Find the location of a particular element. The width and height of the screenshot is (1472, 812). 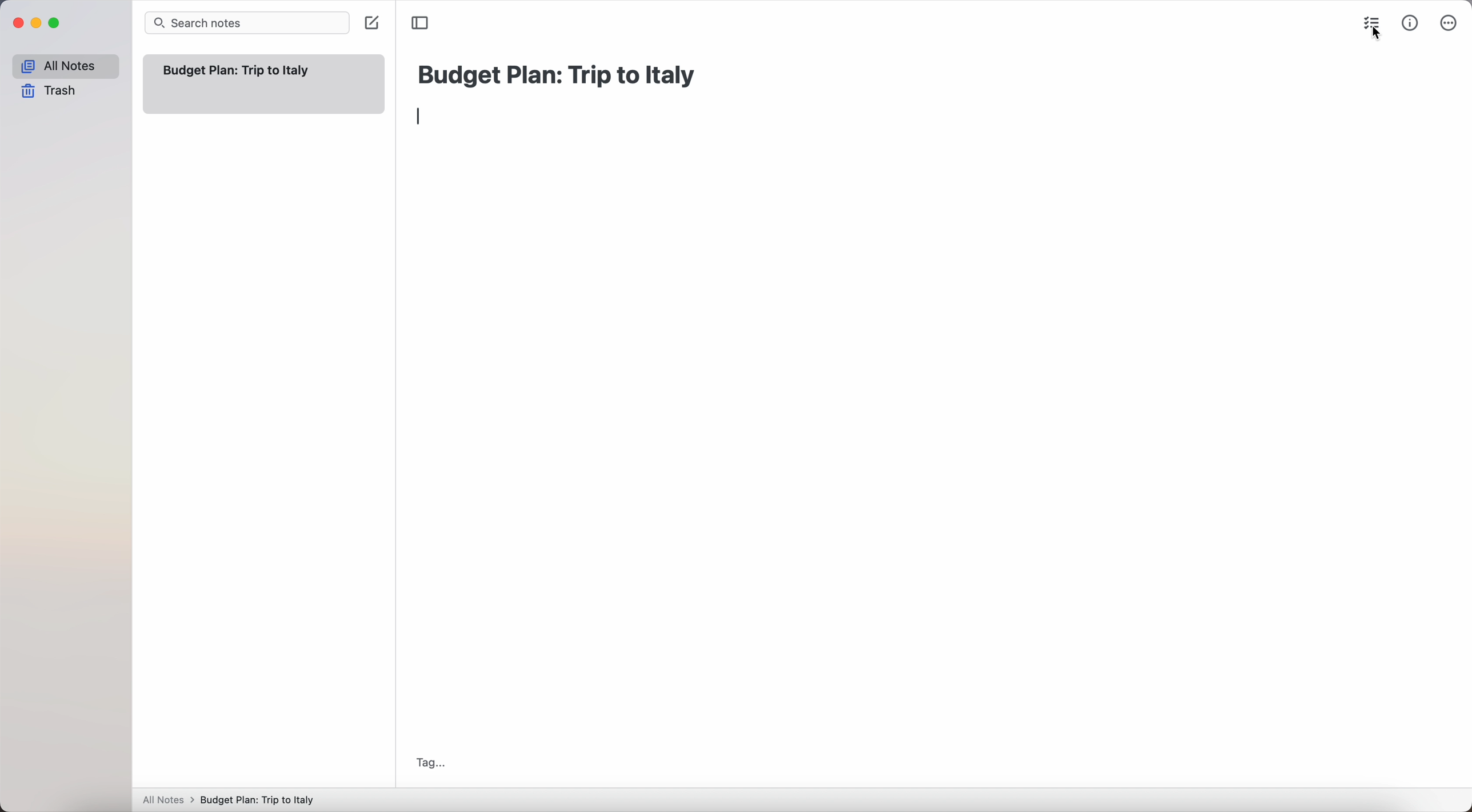

check list is located at coordinates (1369, 22).